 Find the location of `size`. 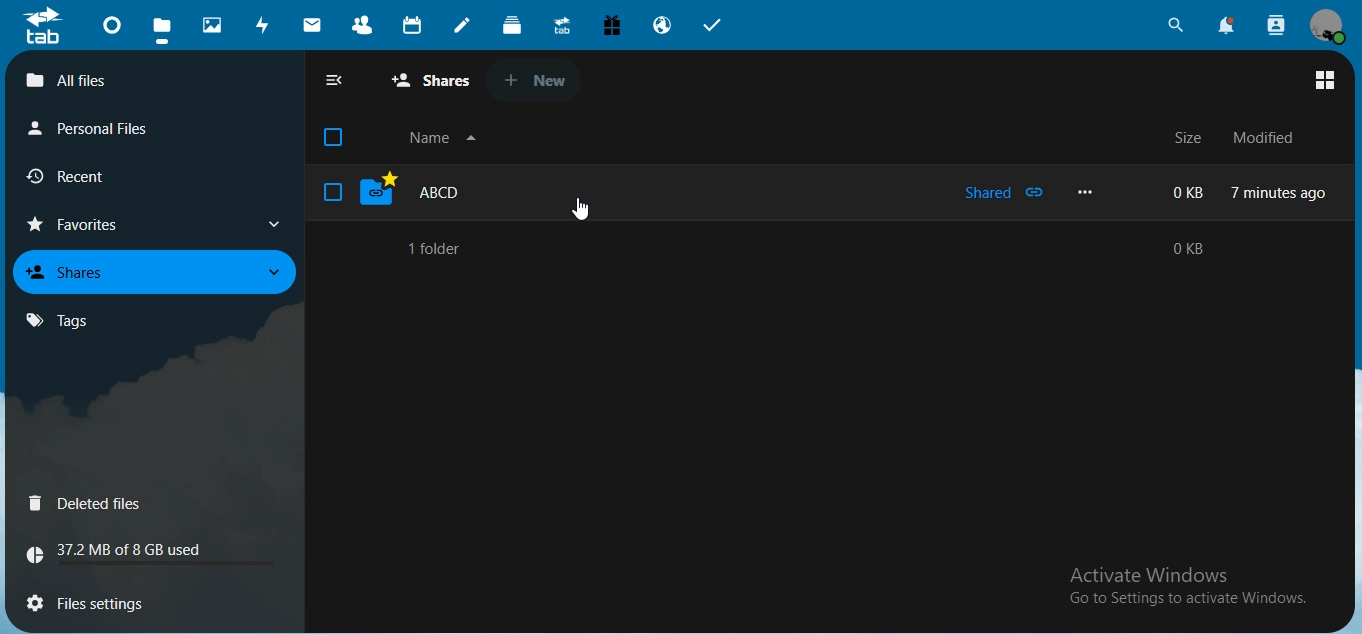

size is located at coordinates (1185, 140).